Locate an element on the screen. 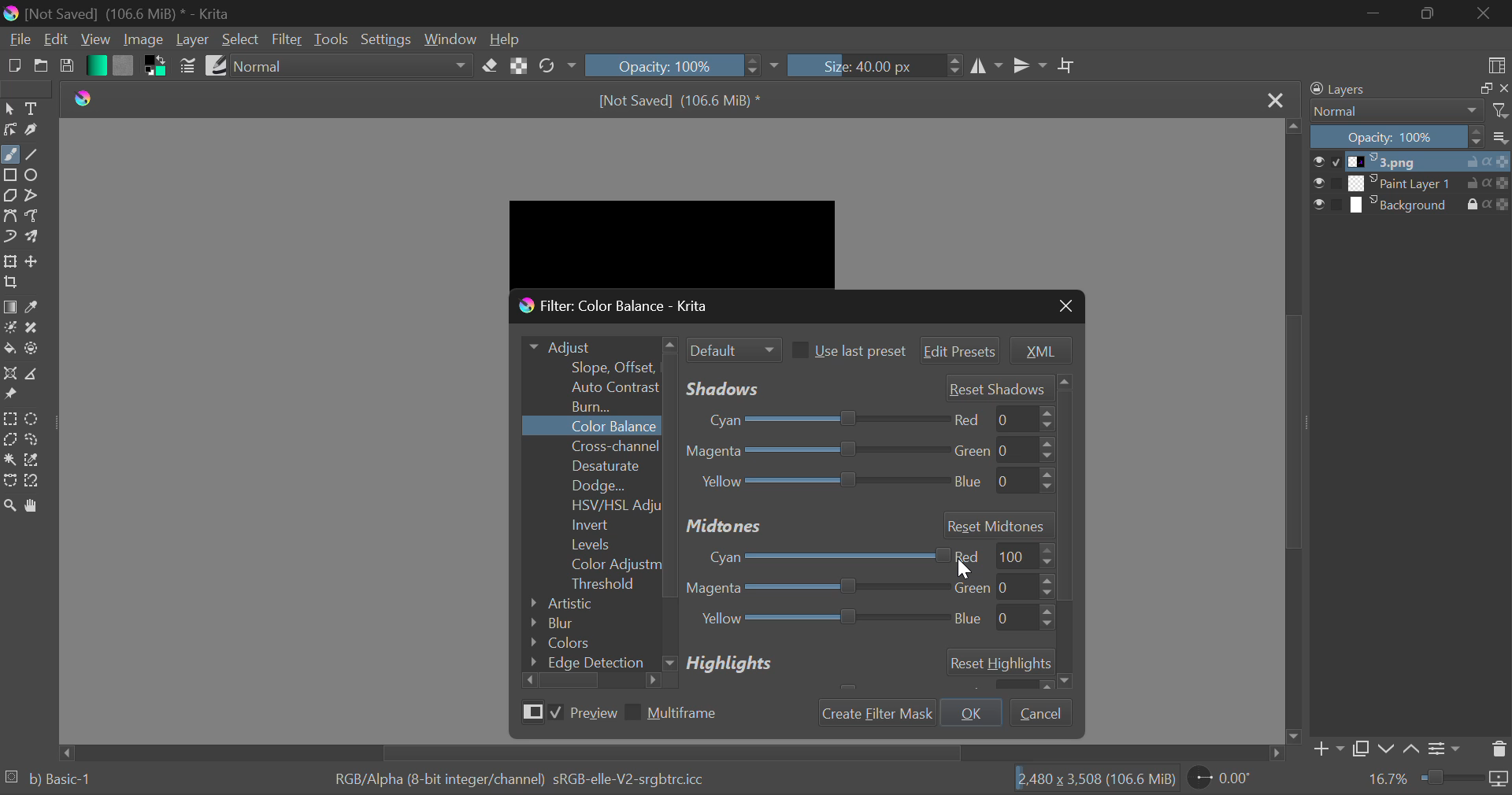  duration is located at coordinates (1466, 780).